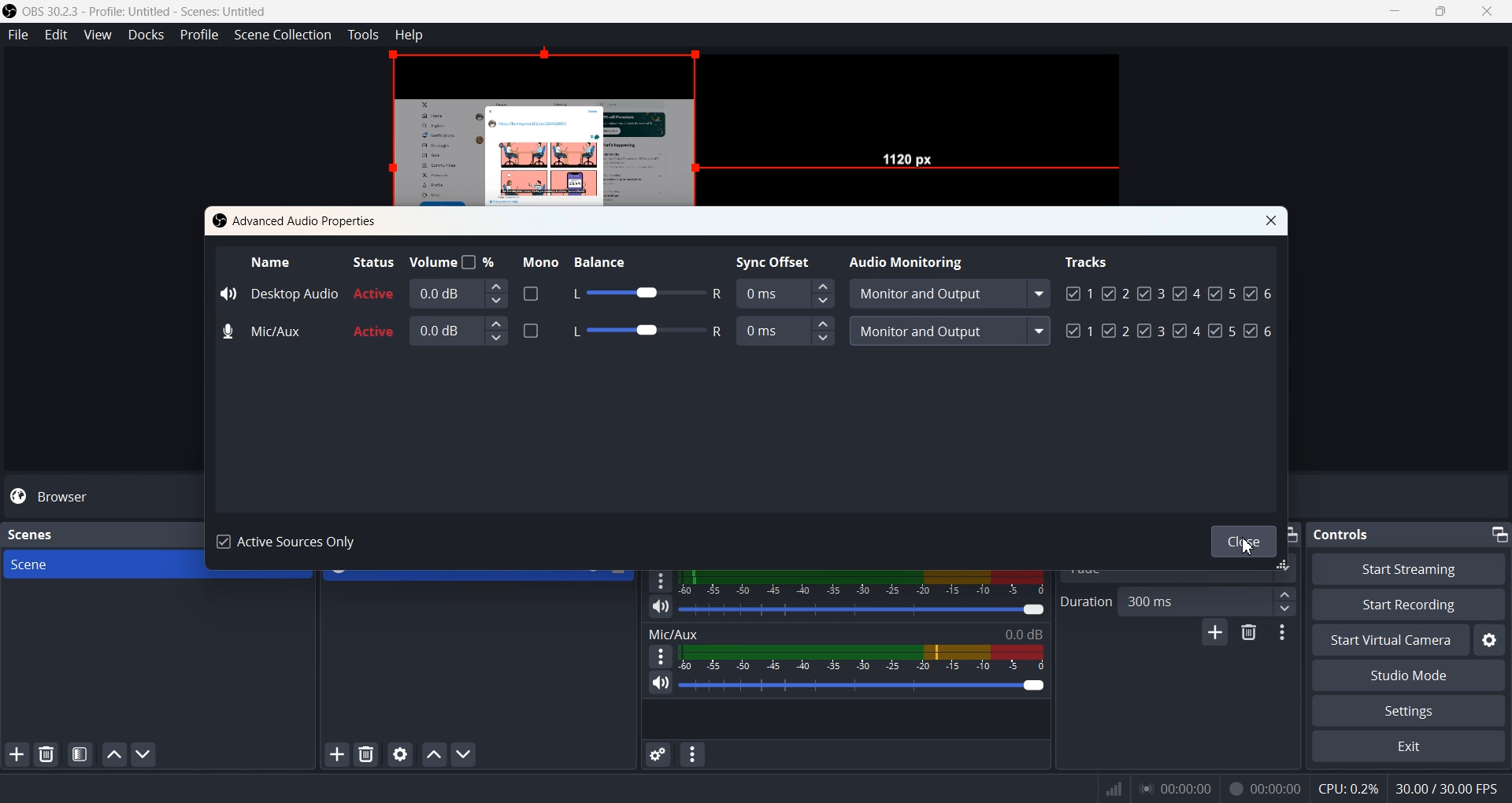 This screenshot has height=803, width=1512. I want to click on Minimize, so click(1498, 531).